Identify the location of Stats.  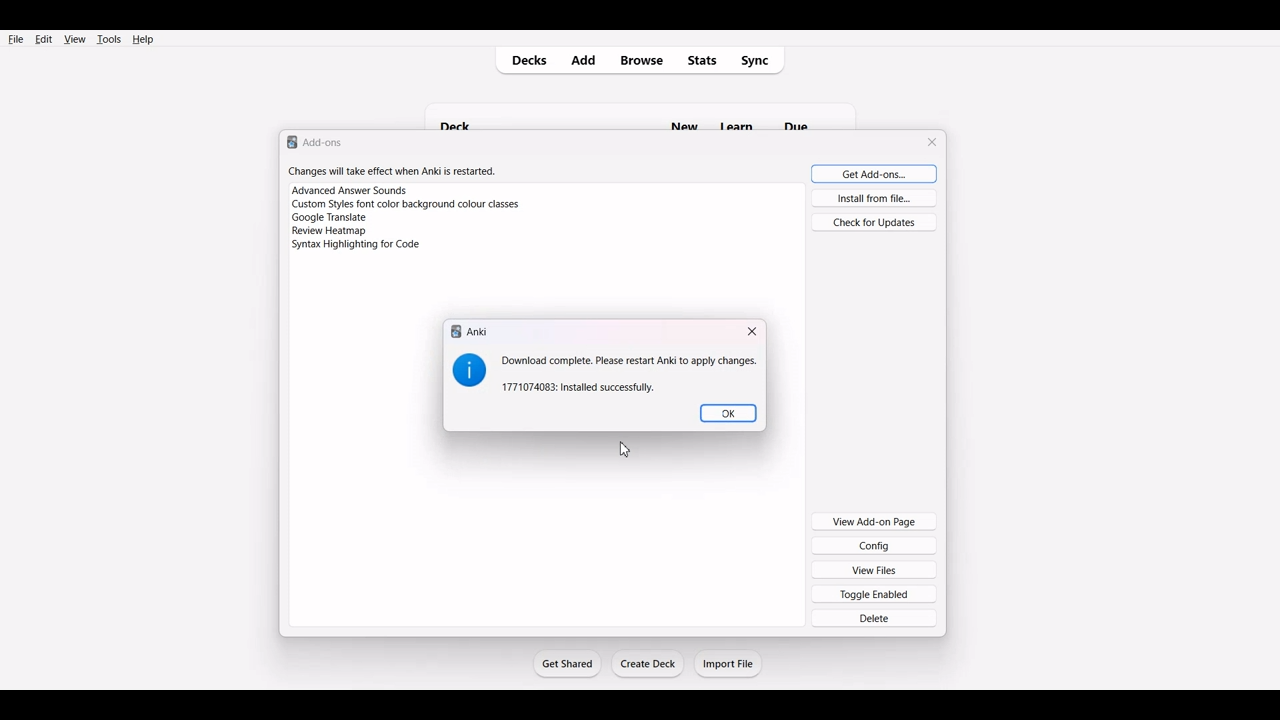
(703, 60).